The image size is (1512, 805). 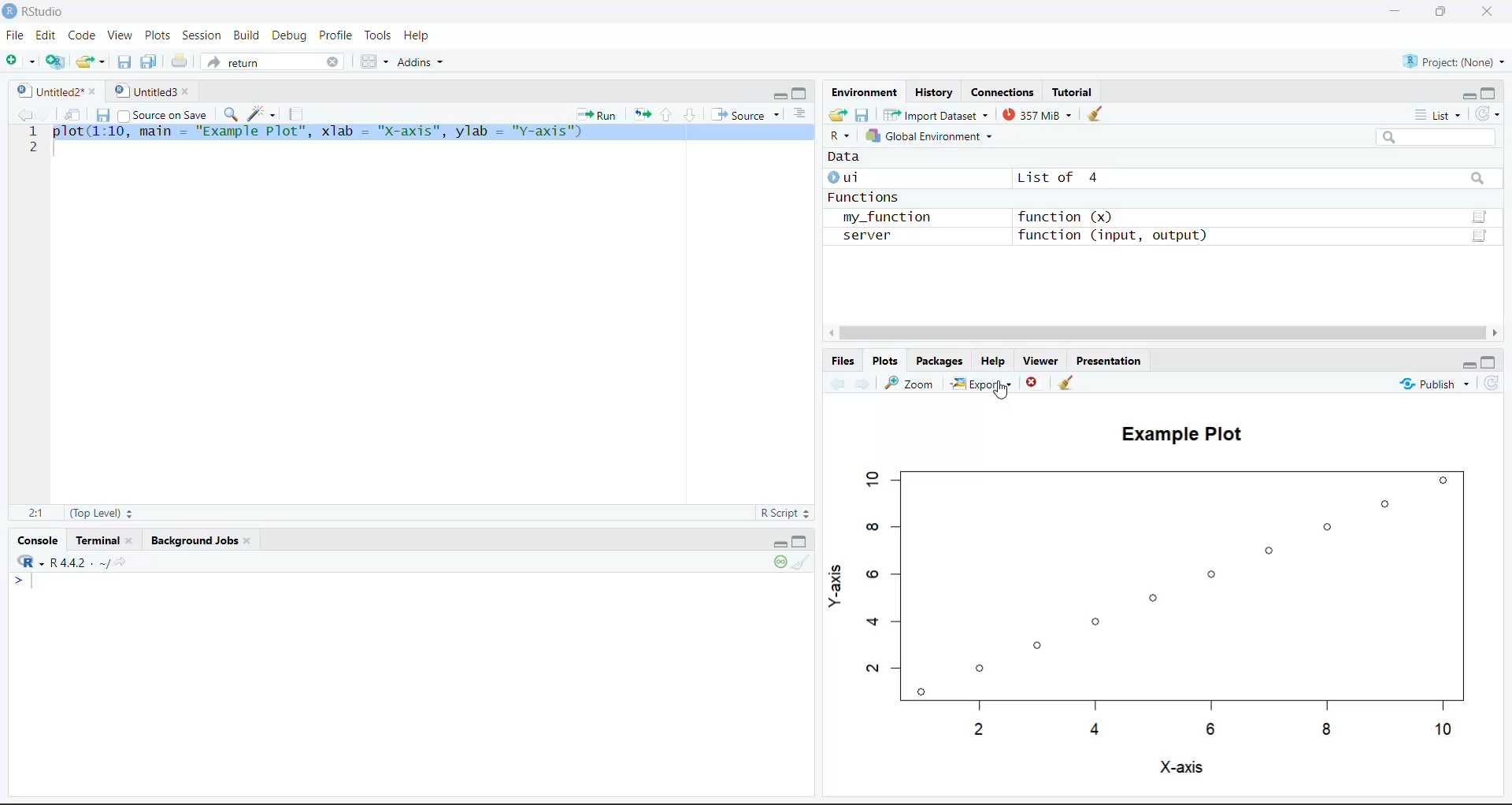 I want to click on Close, so click(x=1033, y=382).